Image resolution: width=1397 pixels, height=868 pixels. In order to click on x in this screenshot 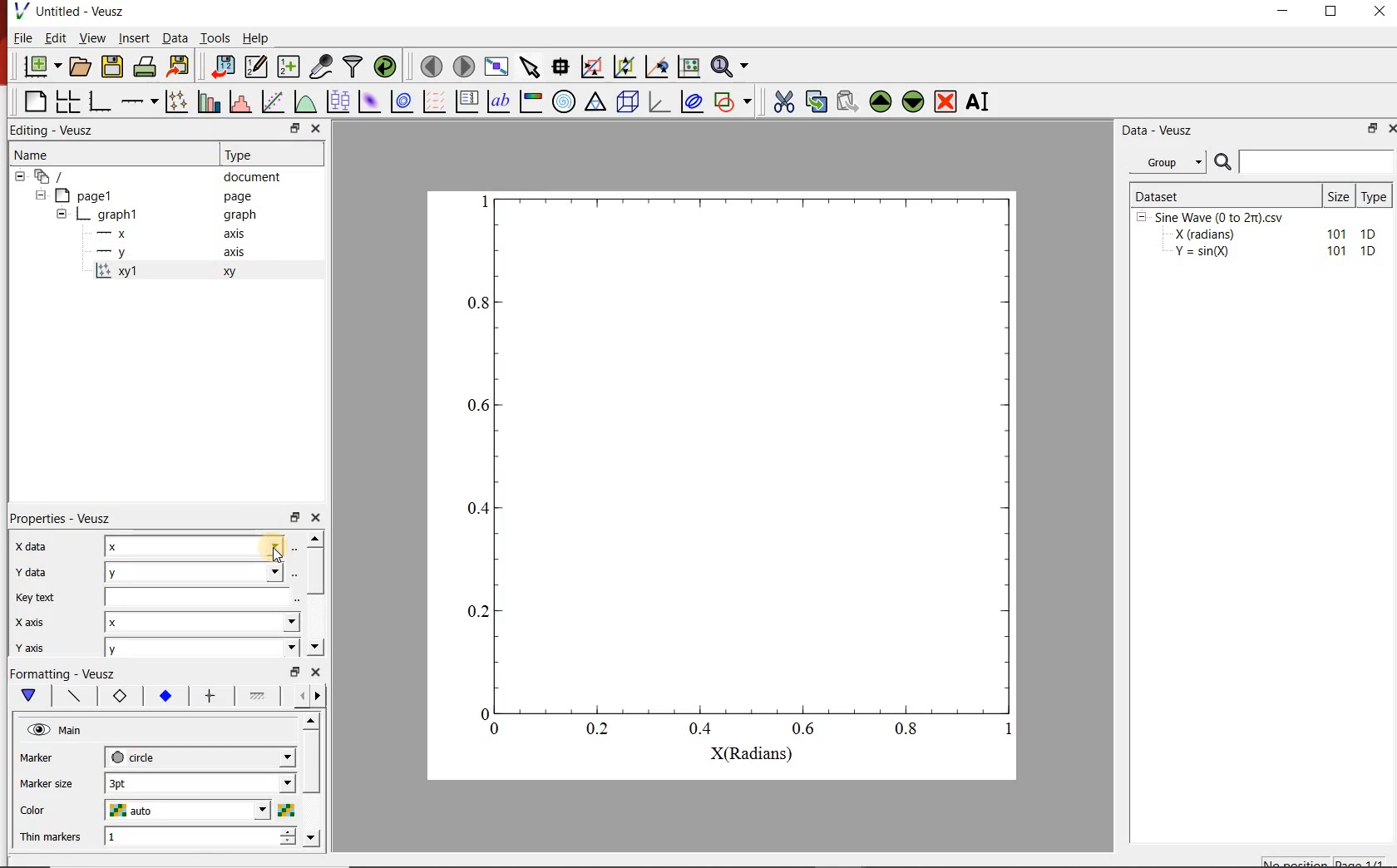, I will do `click(205, 624)`.